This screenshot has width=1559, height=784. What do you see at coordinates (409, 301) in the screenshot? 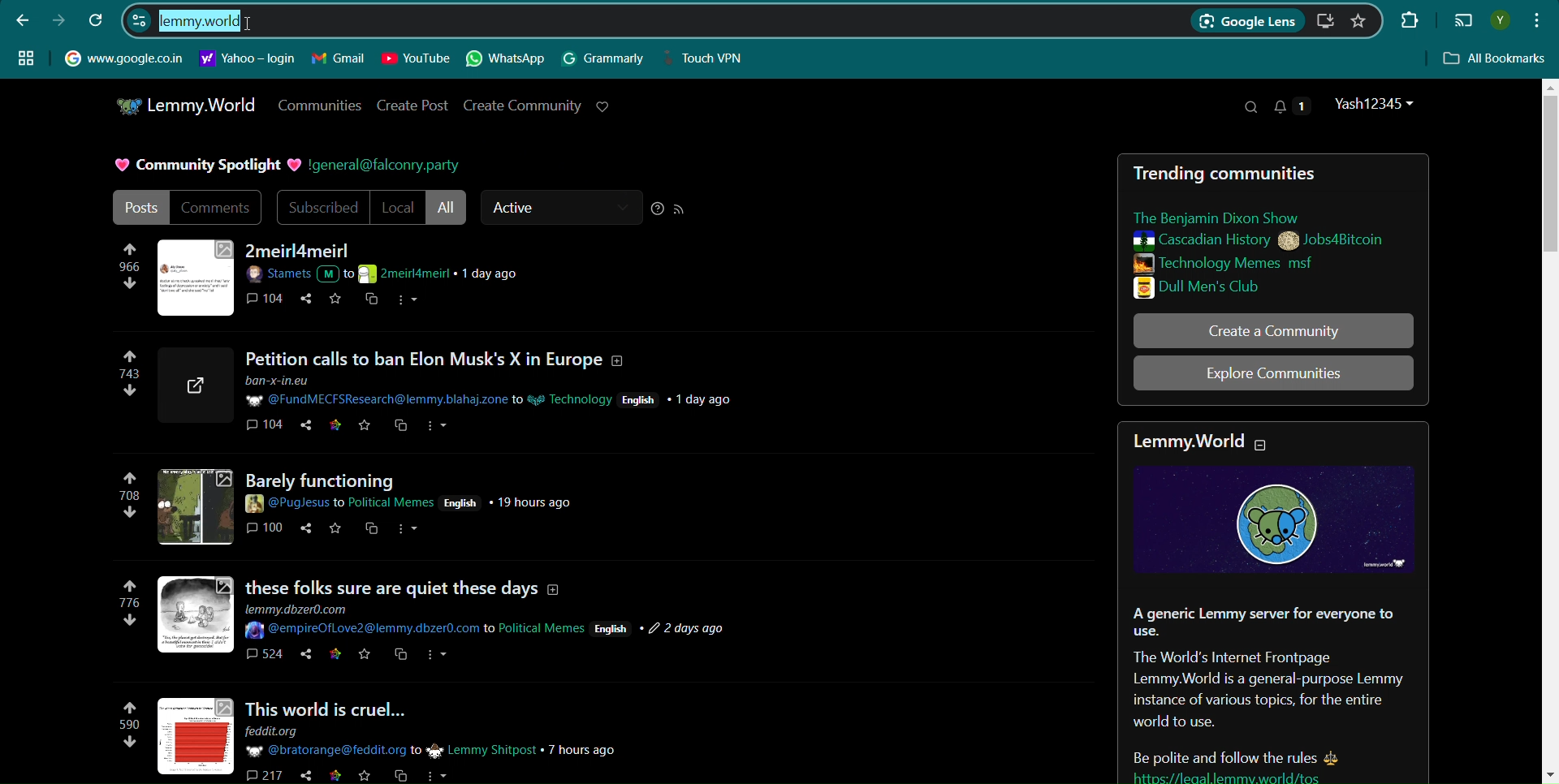
I see `More` at bounding box center [409, 301].